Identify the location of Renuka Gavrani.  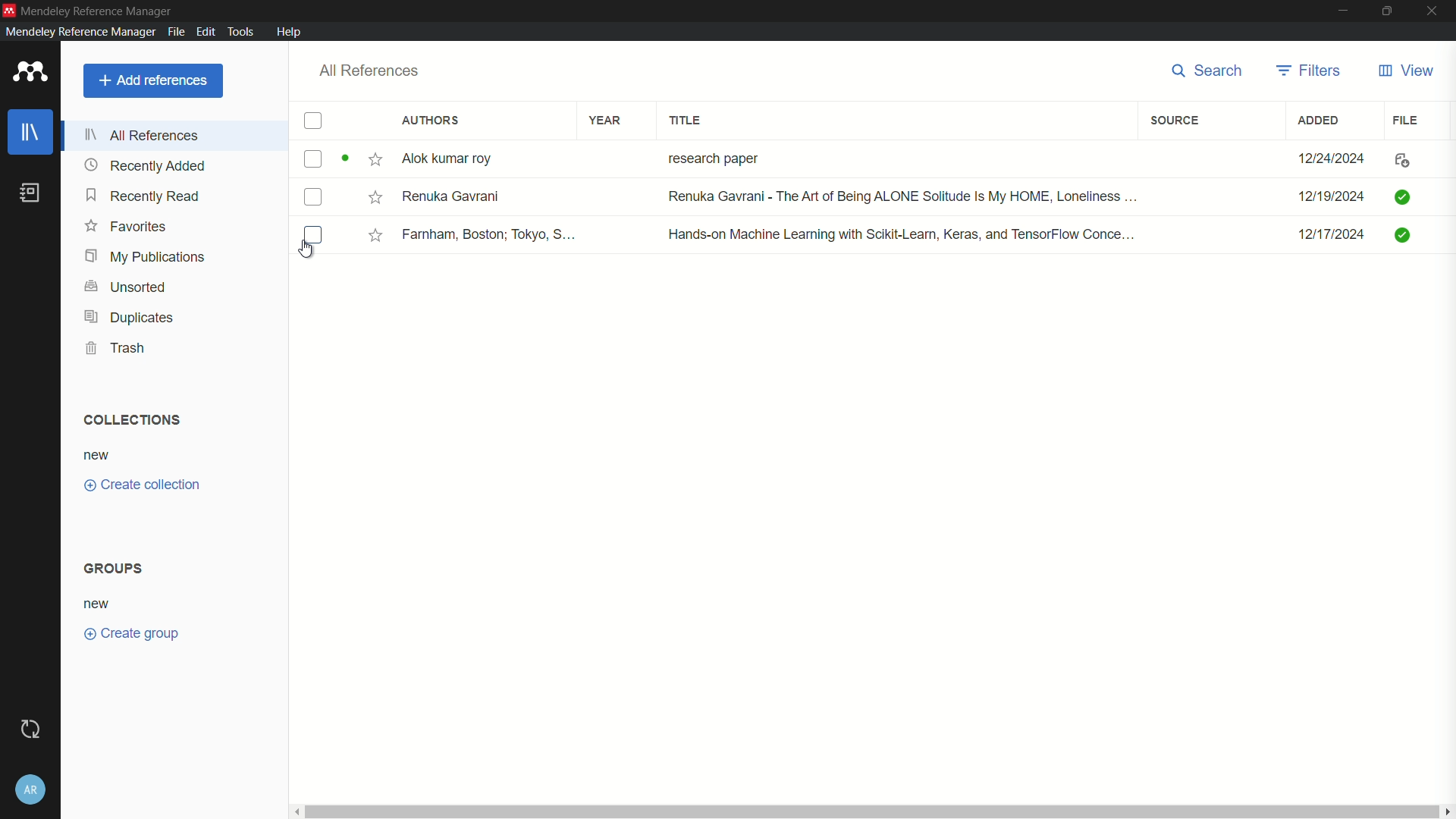
(456, 199).